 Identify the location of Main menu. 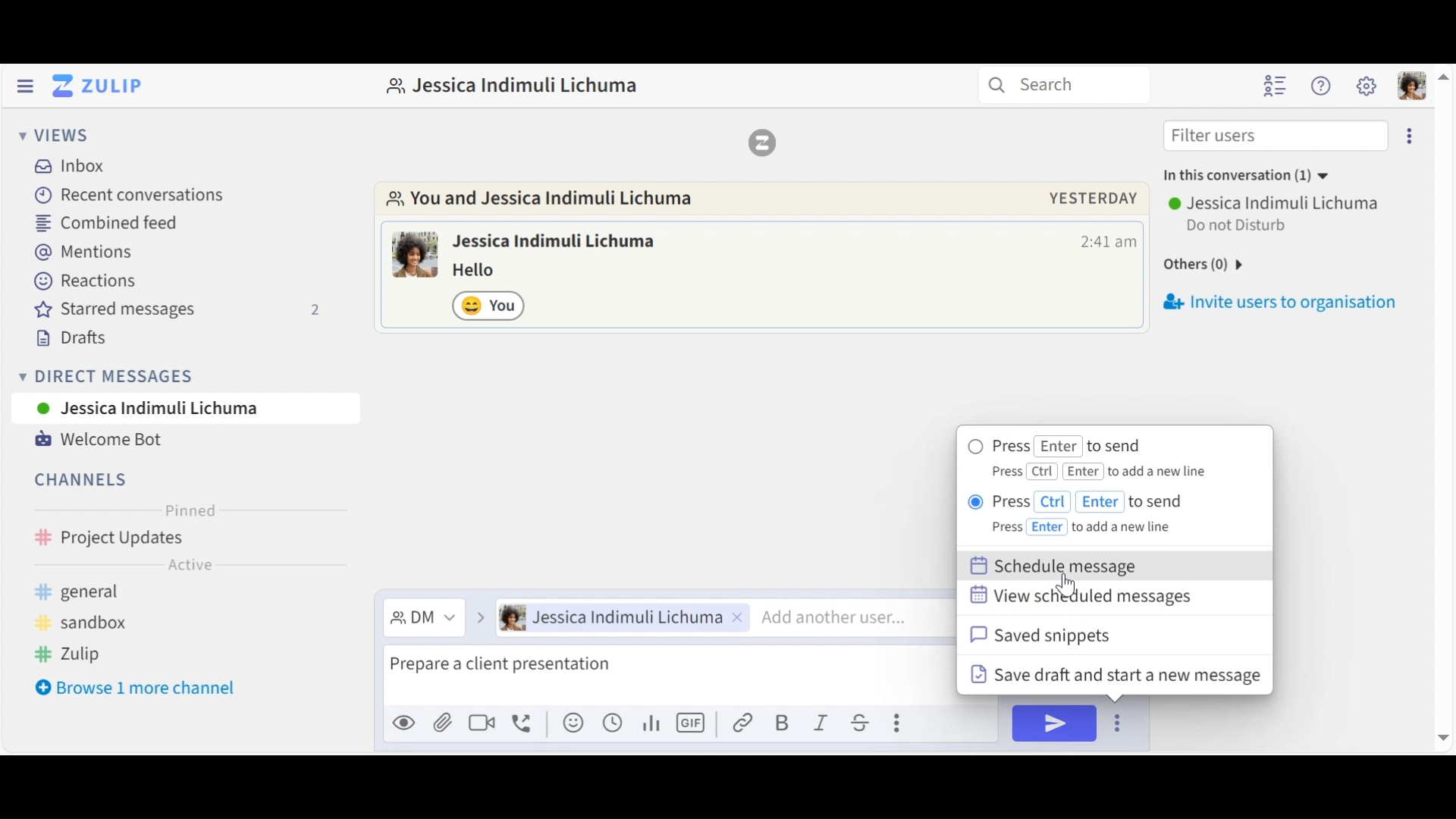
(1367, 86).